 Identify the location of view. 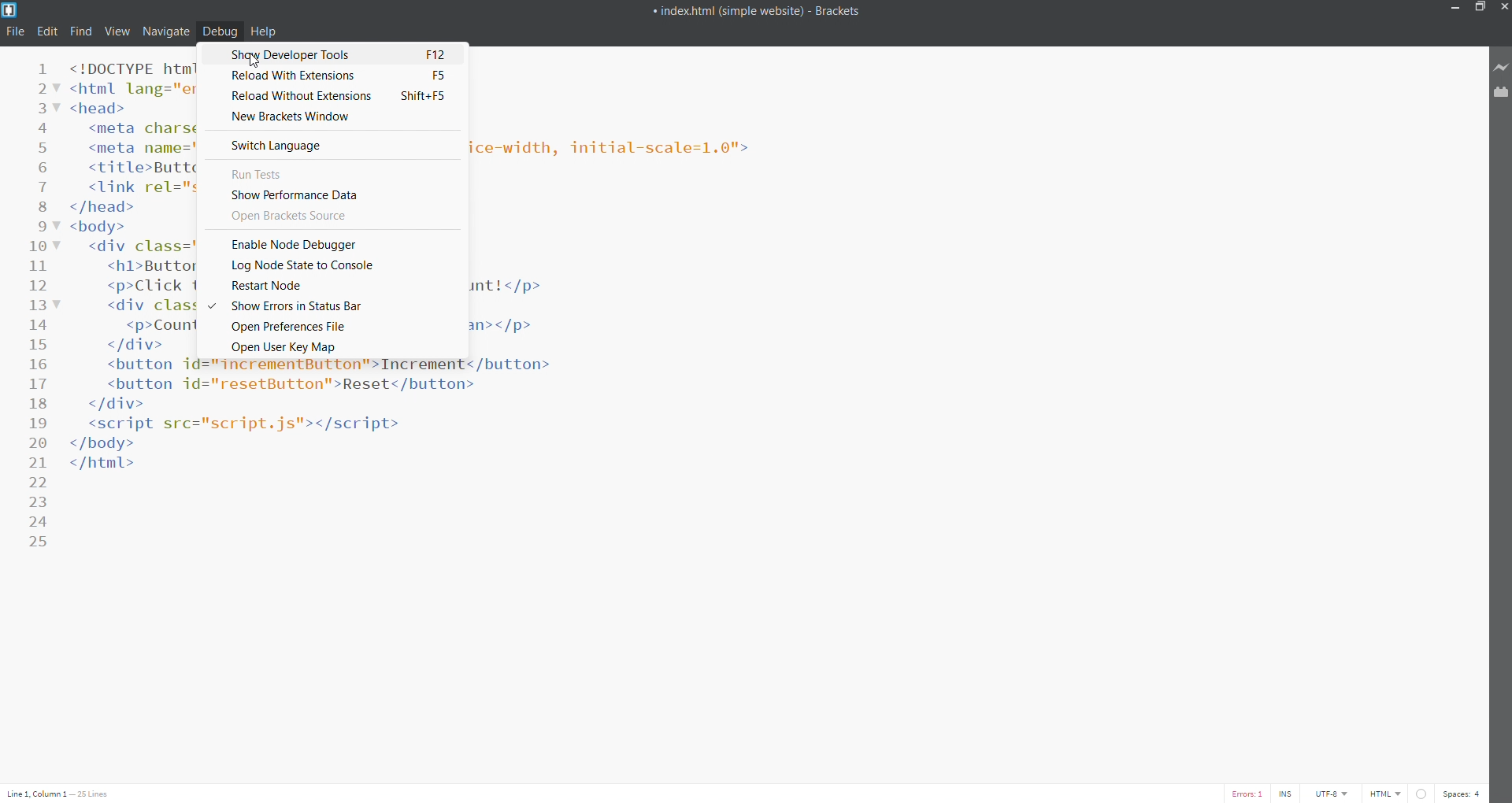
(120, 31).